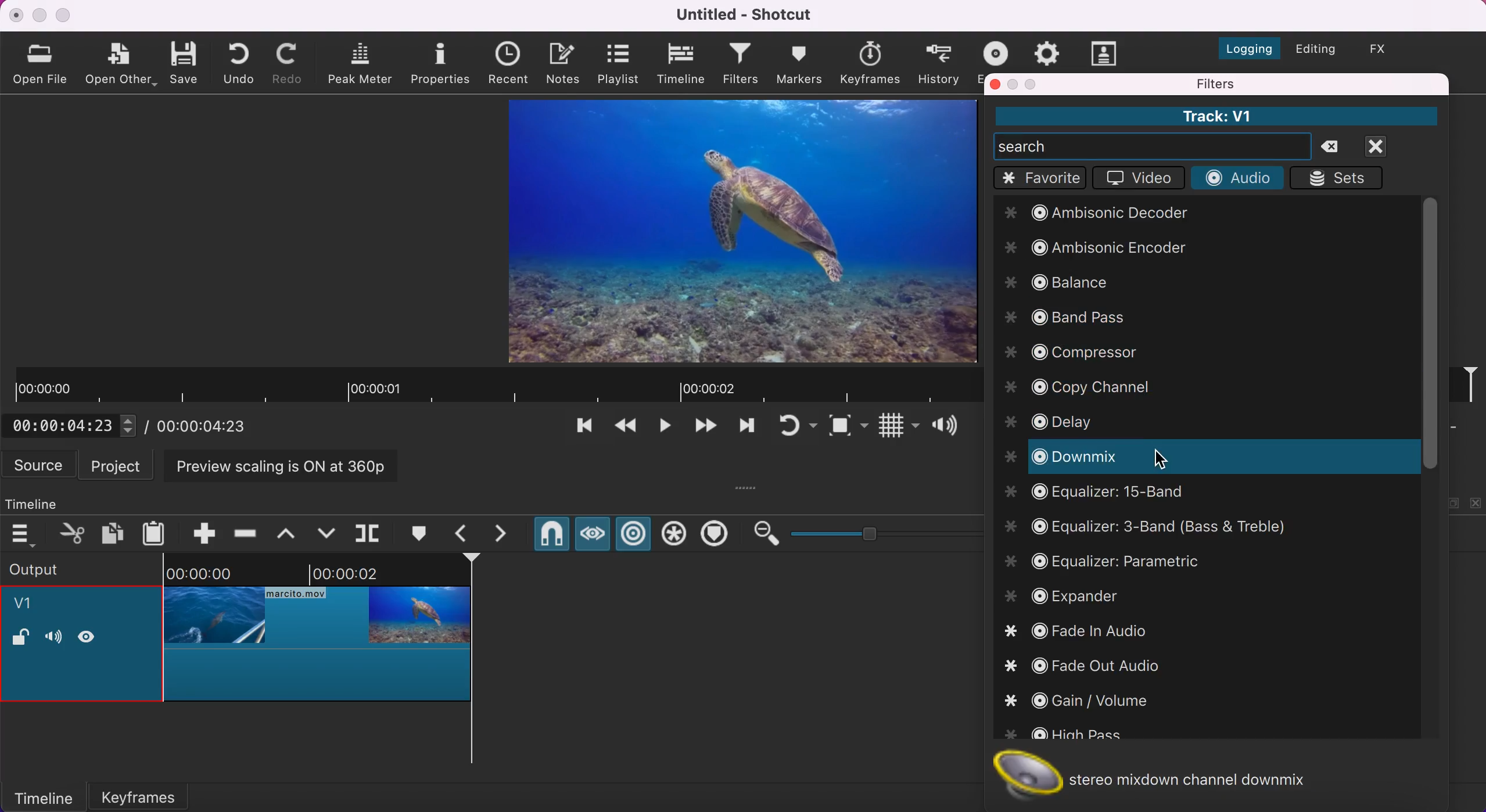 The image size is (1486, 812). I want to click on high pass, so click(1064, 735).